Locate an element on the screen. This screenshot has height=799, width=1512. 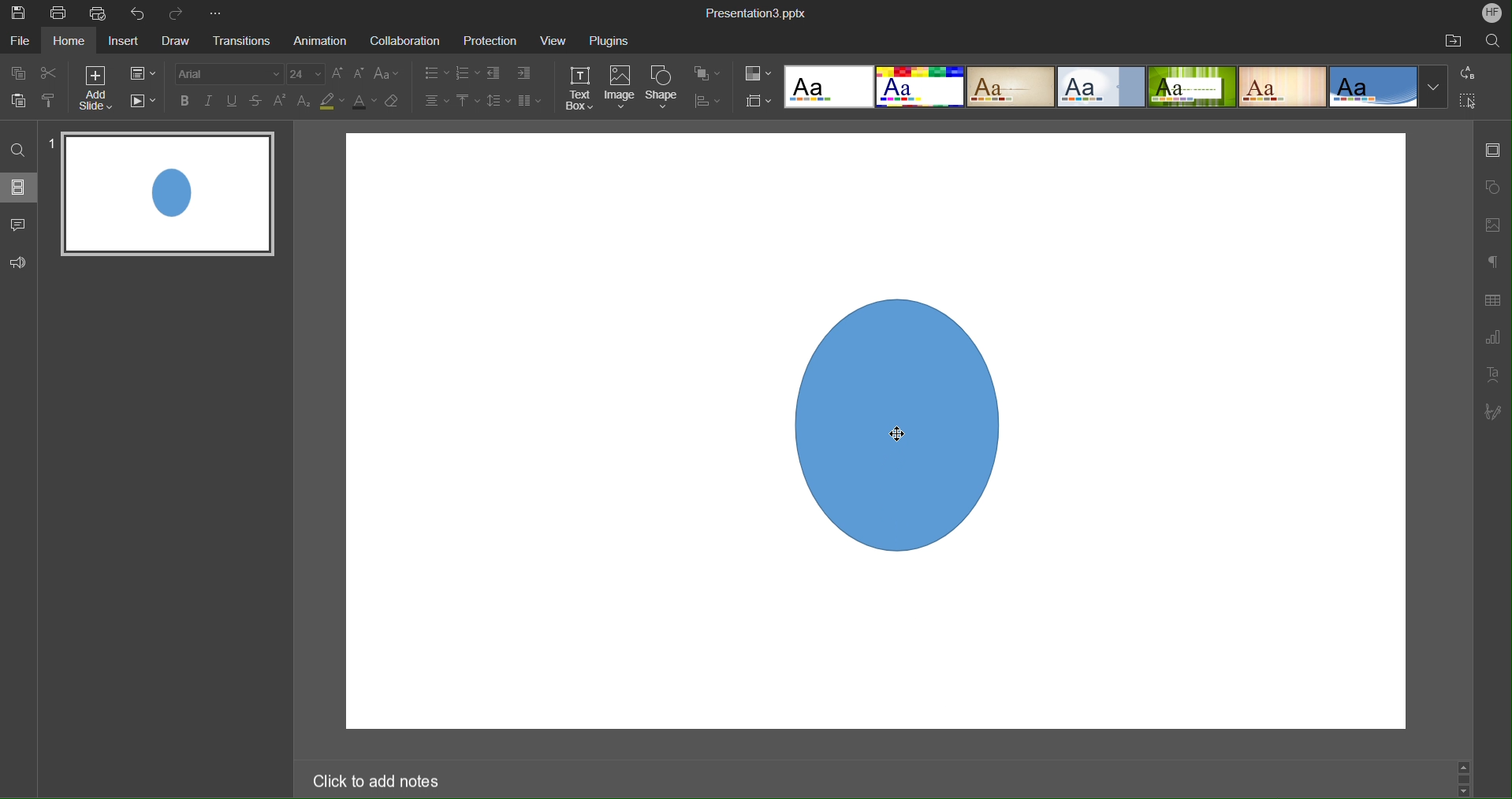
Redo is located at coordinates (179, 11).